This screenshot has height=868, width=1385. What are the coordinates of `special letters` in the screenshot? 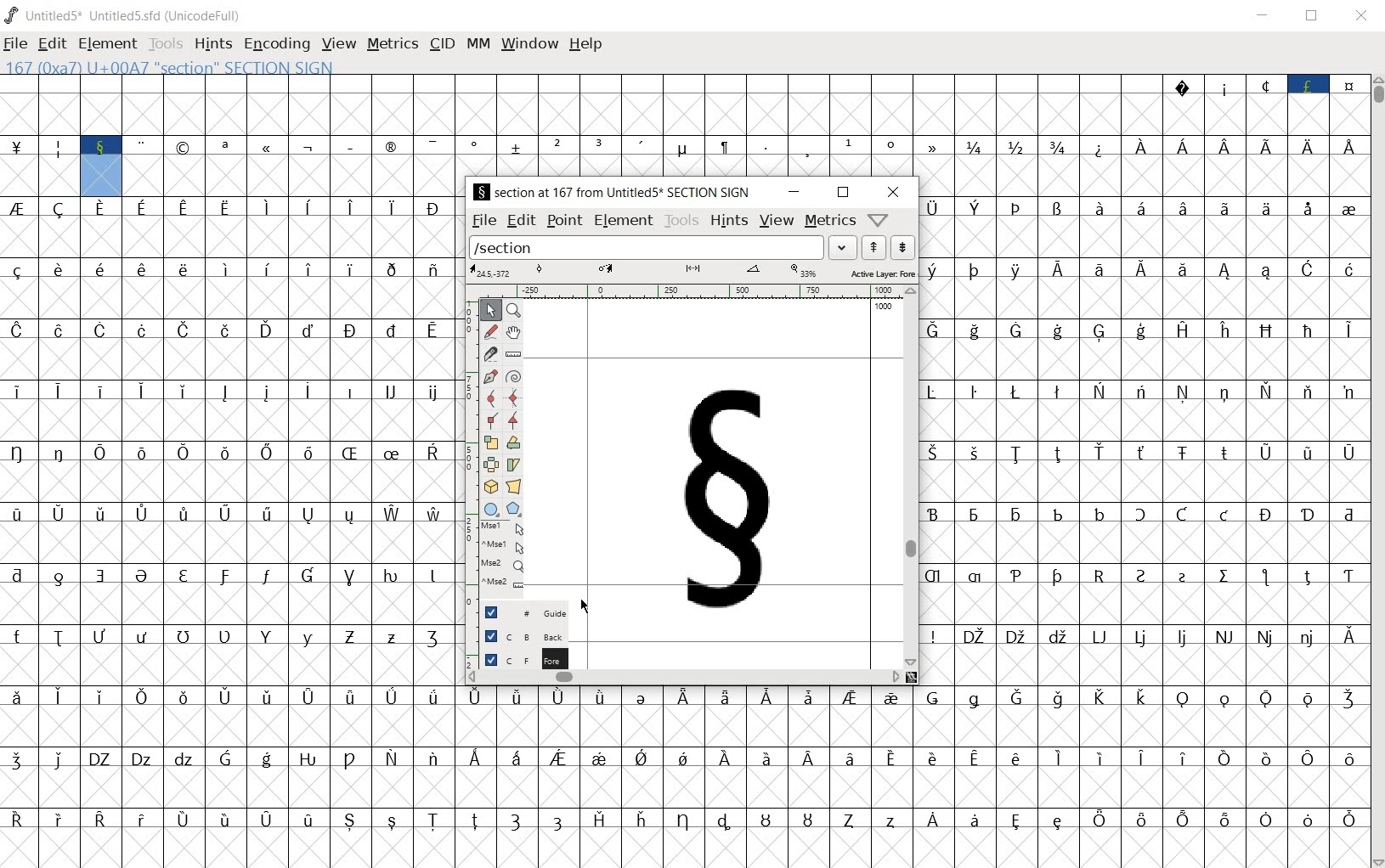 It's located at (1145, 330).